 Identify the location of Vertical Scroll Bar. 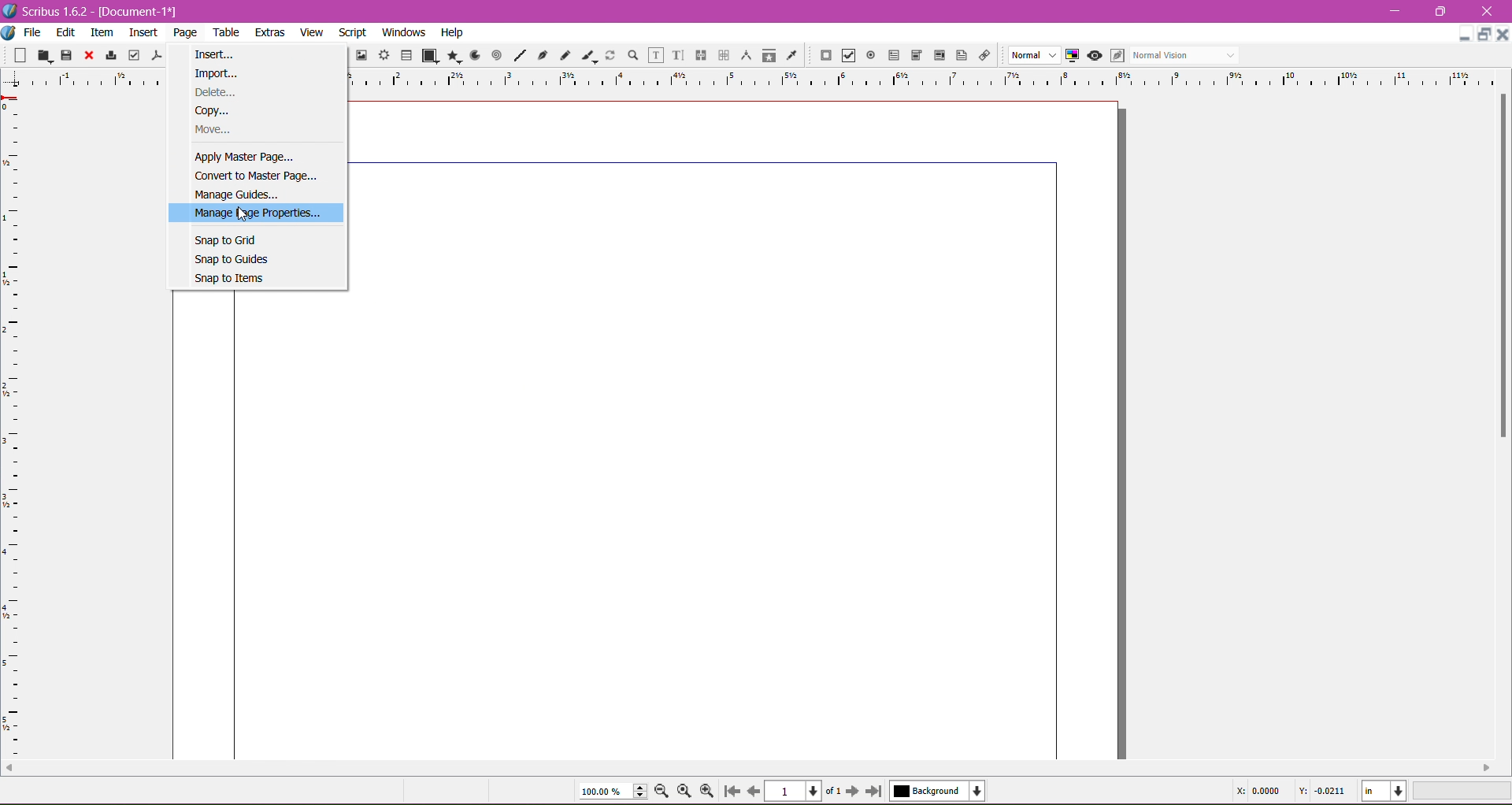
(1503, 269).